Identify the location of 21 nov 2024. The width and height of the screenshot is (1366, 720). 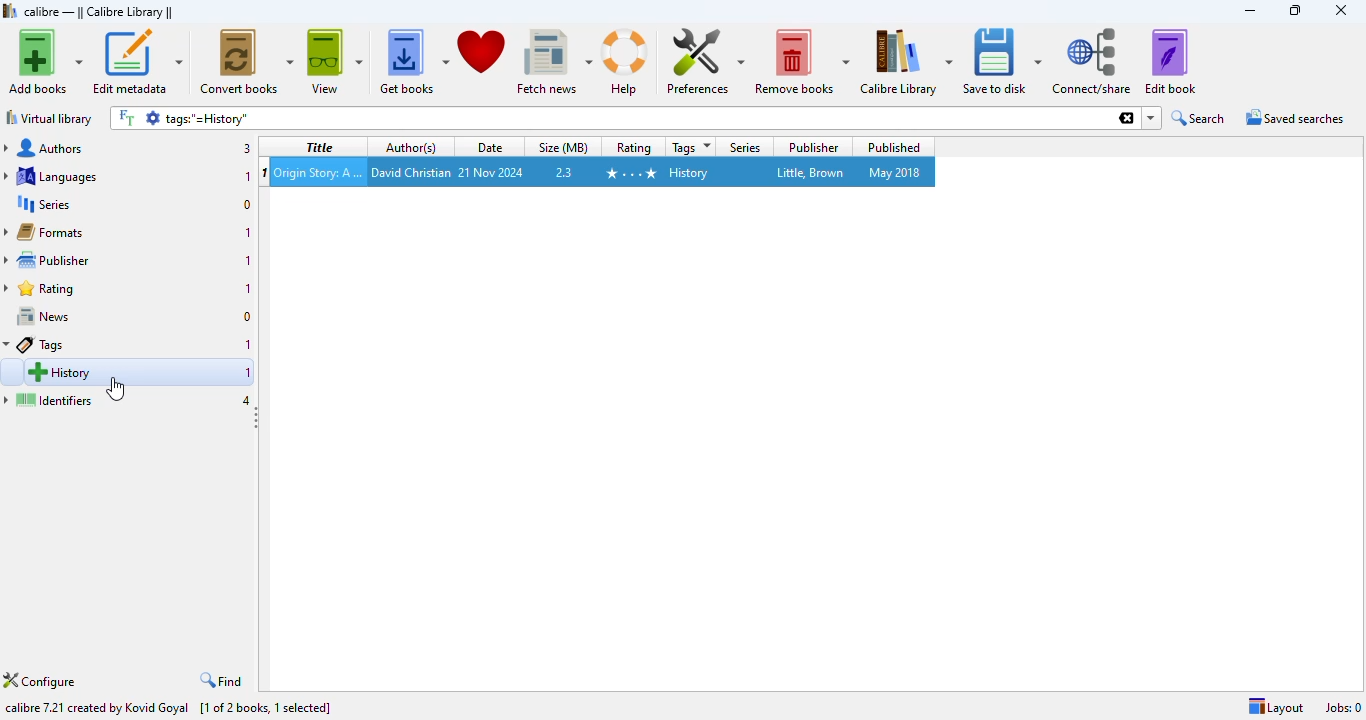
(492, 171).